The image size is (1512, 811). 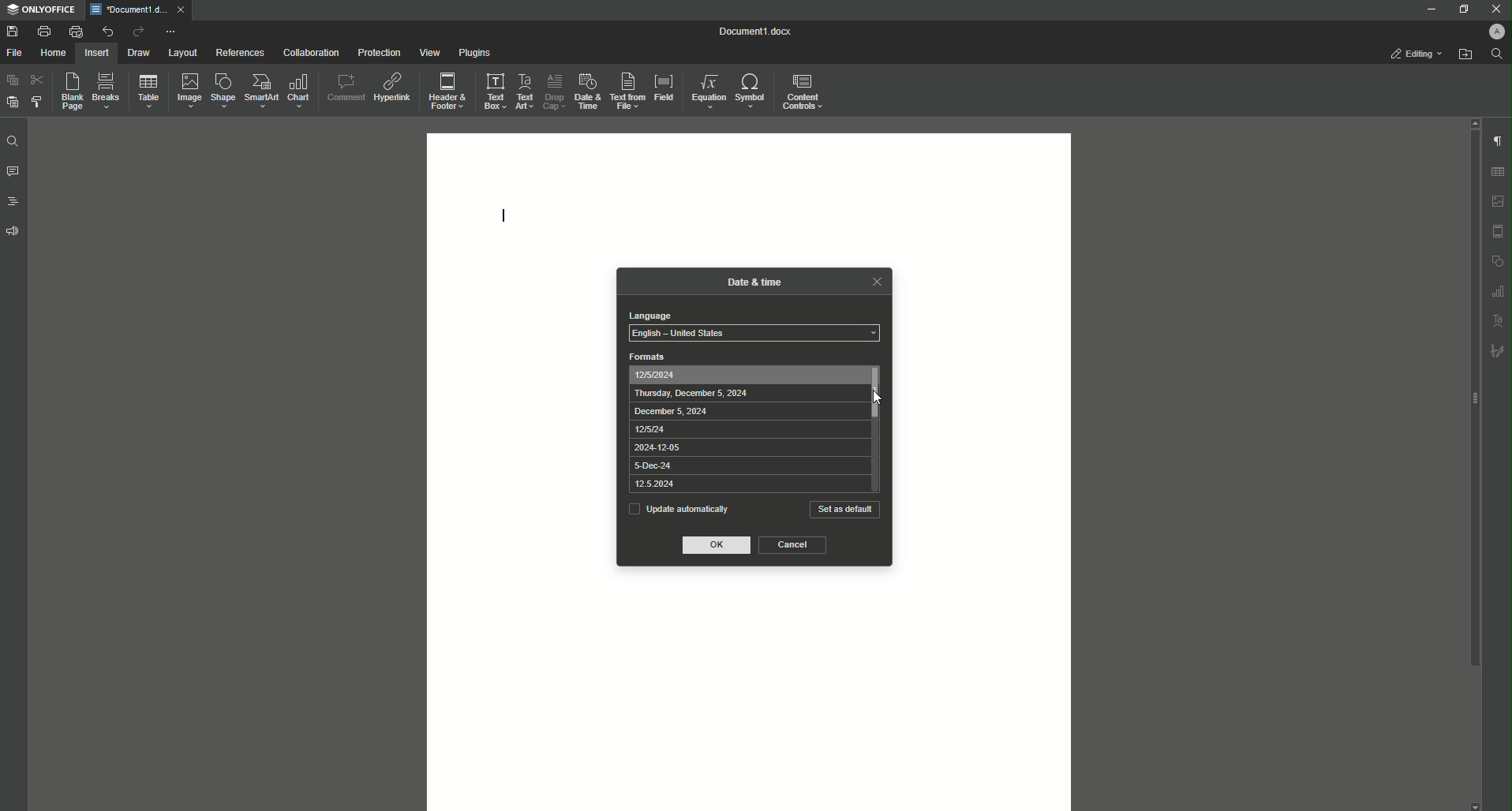 I want to click on Controls, so click(x=806, y=91).